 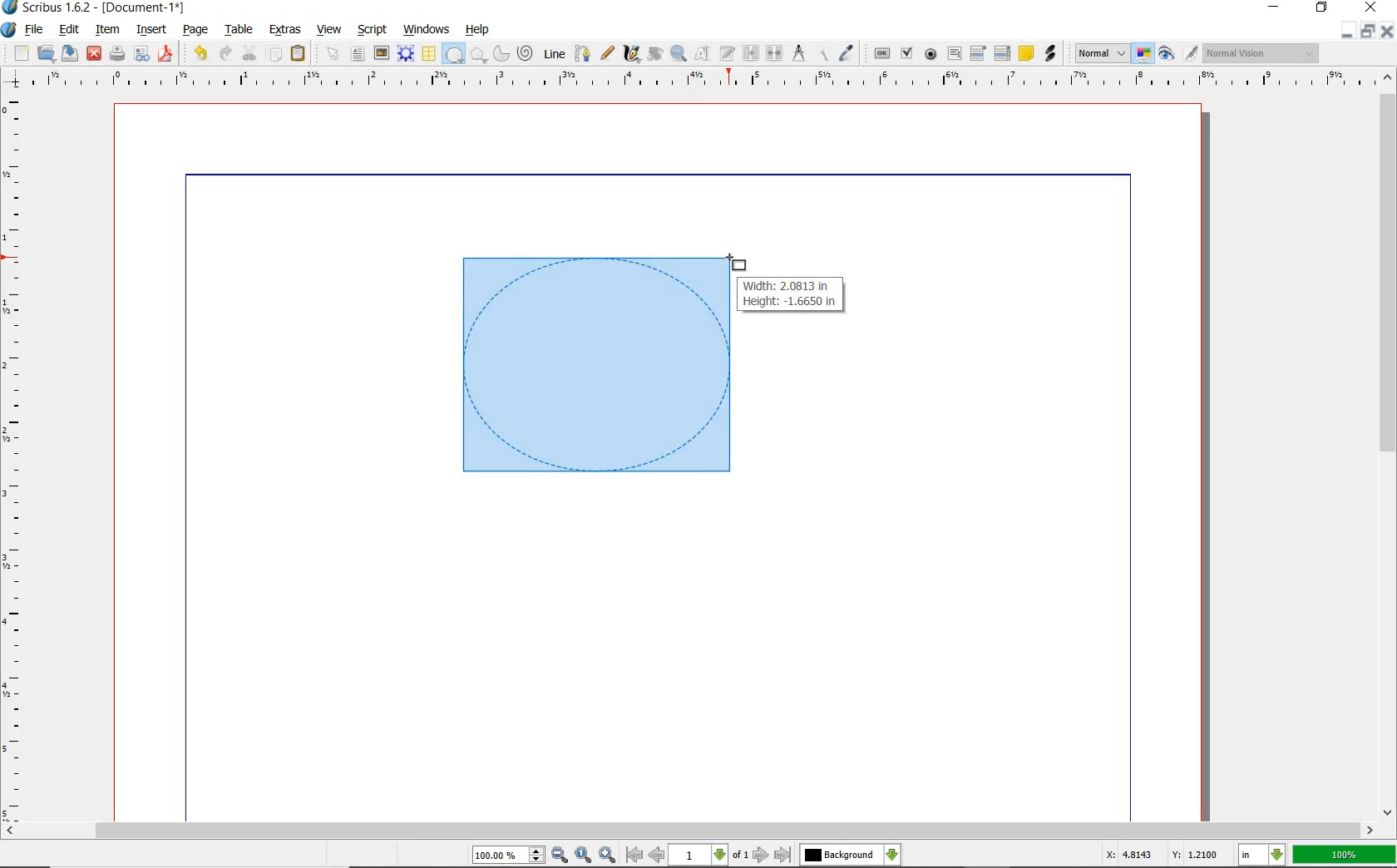 I want to click on WINDOWS, so click(x=427, y=30).